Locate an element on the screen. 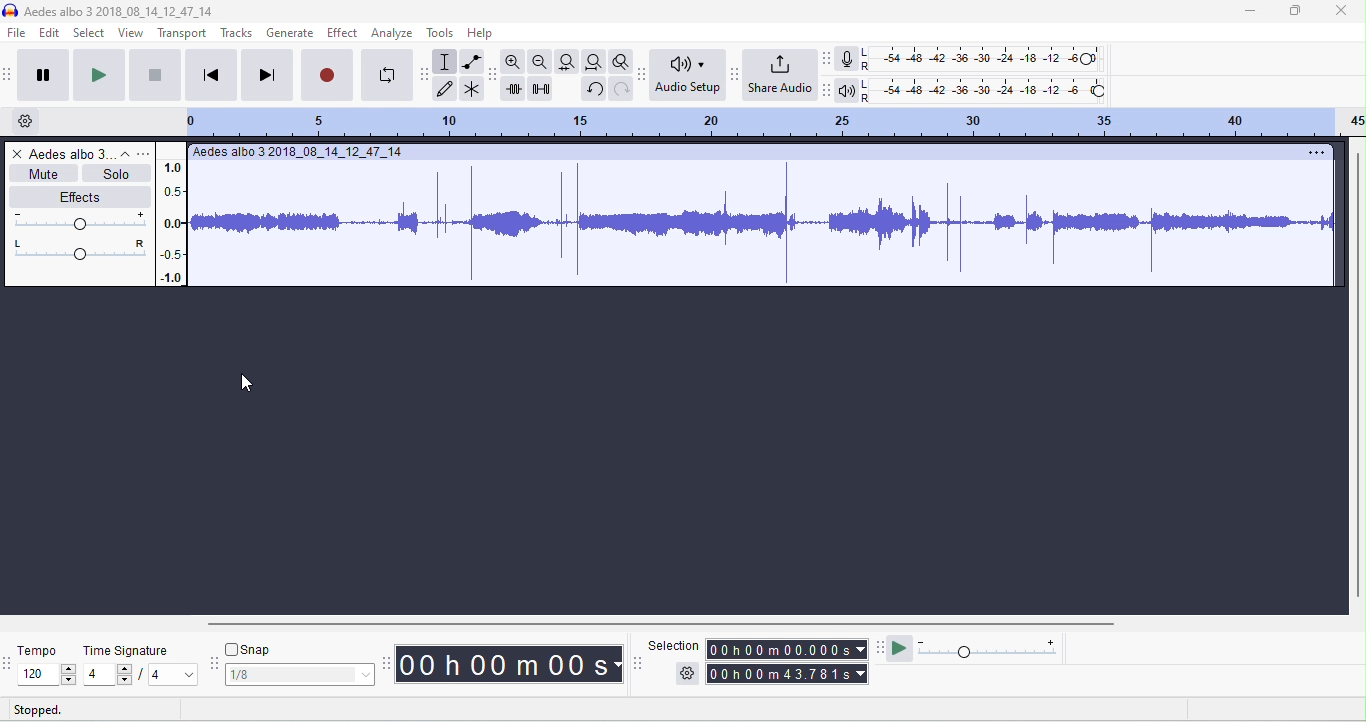 This screenshot has height=722, width=1366. playback speed is located at coordinates (991, 649).